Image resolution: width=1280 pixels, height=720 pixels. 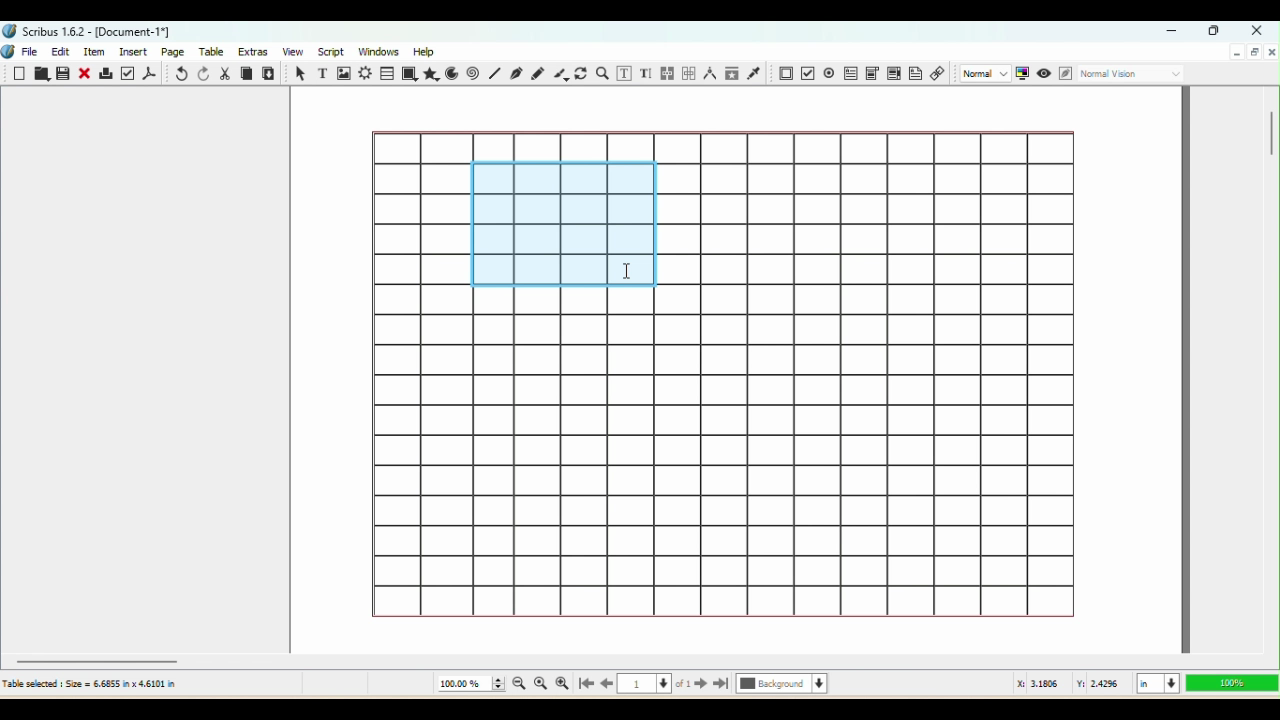 What do you see at coordinates (560, 226) in the screenshot?
I see `Selected cells` at bounding box center [560, 226].